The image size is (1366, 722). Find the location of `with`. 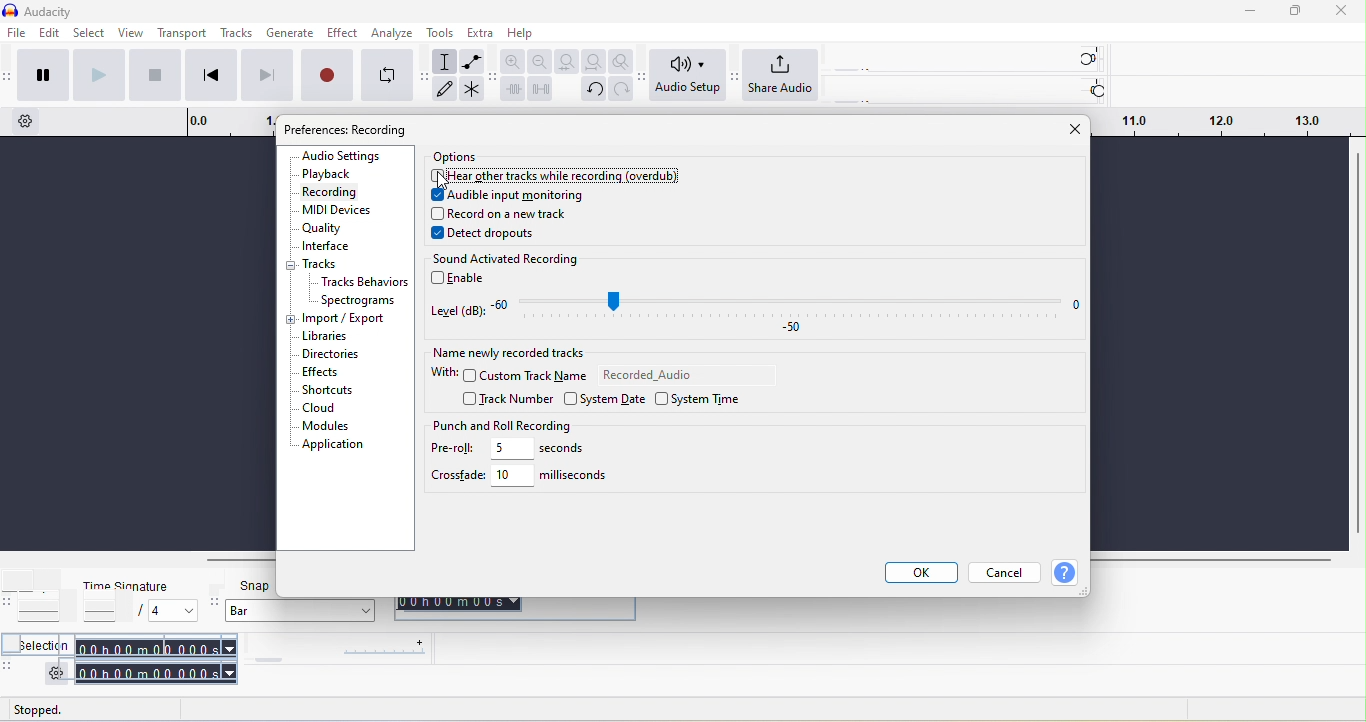

with is located at coordinates (441, 372).